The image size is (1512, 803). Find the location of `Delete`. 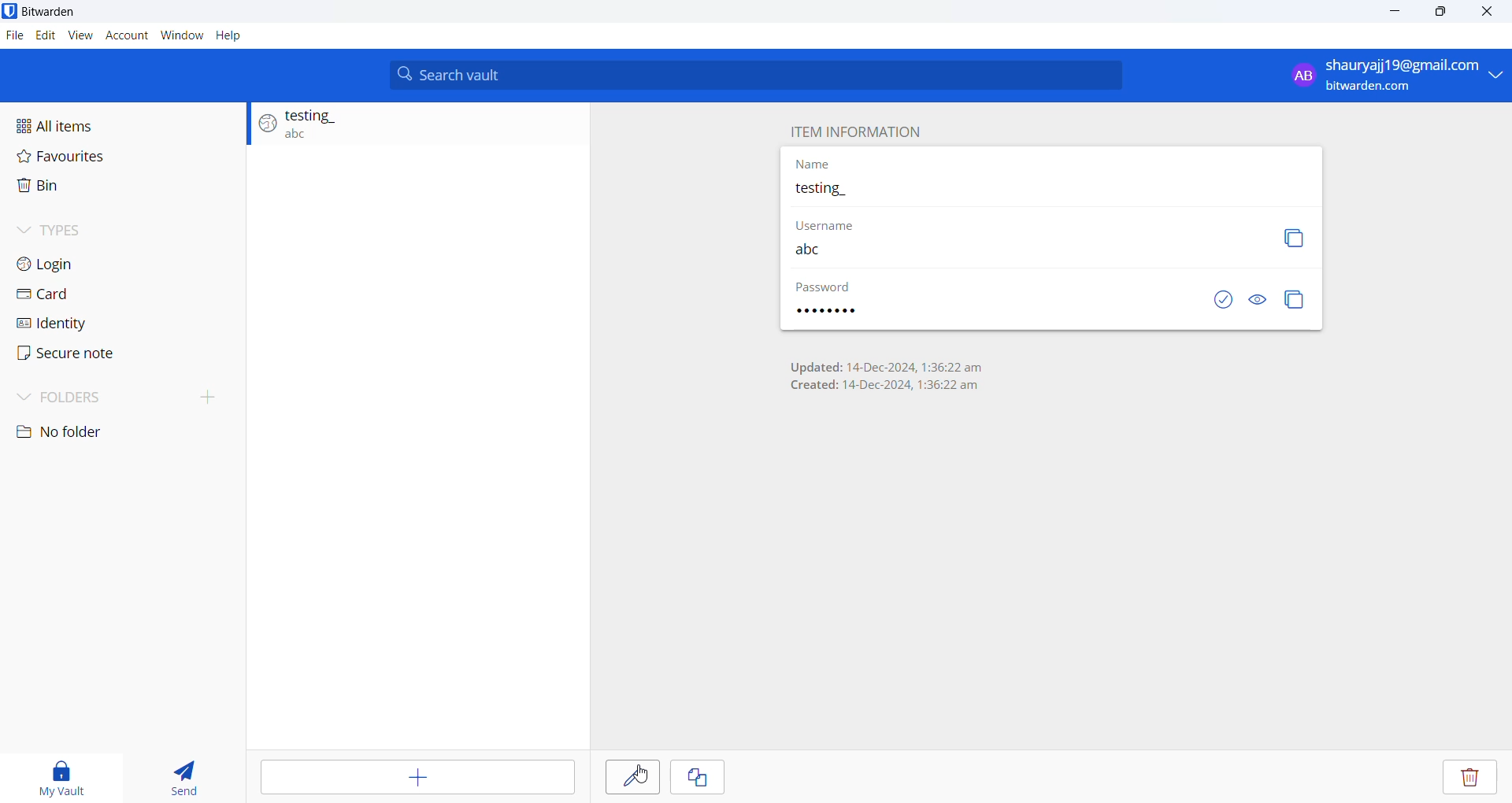

Delete is located at coordinates (1474, 776).